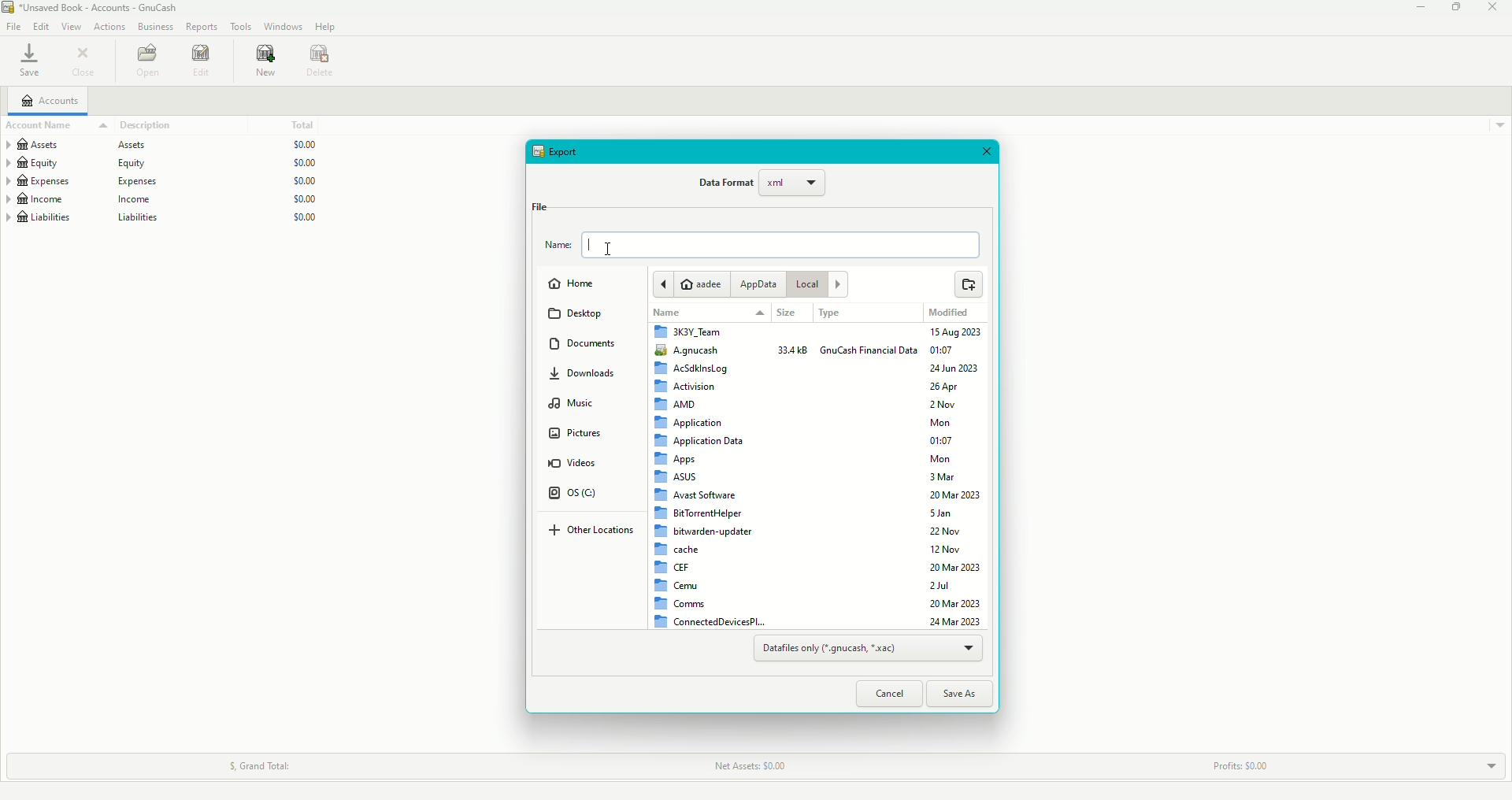 The width and height of the screenshot is (1512, 800). What do you see at coordinates (576, 286) in the screenshot?
I see `Home` at bounding box center [576, 286].